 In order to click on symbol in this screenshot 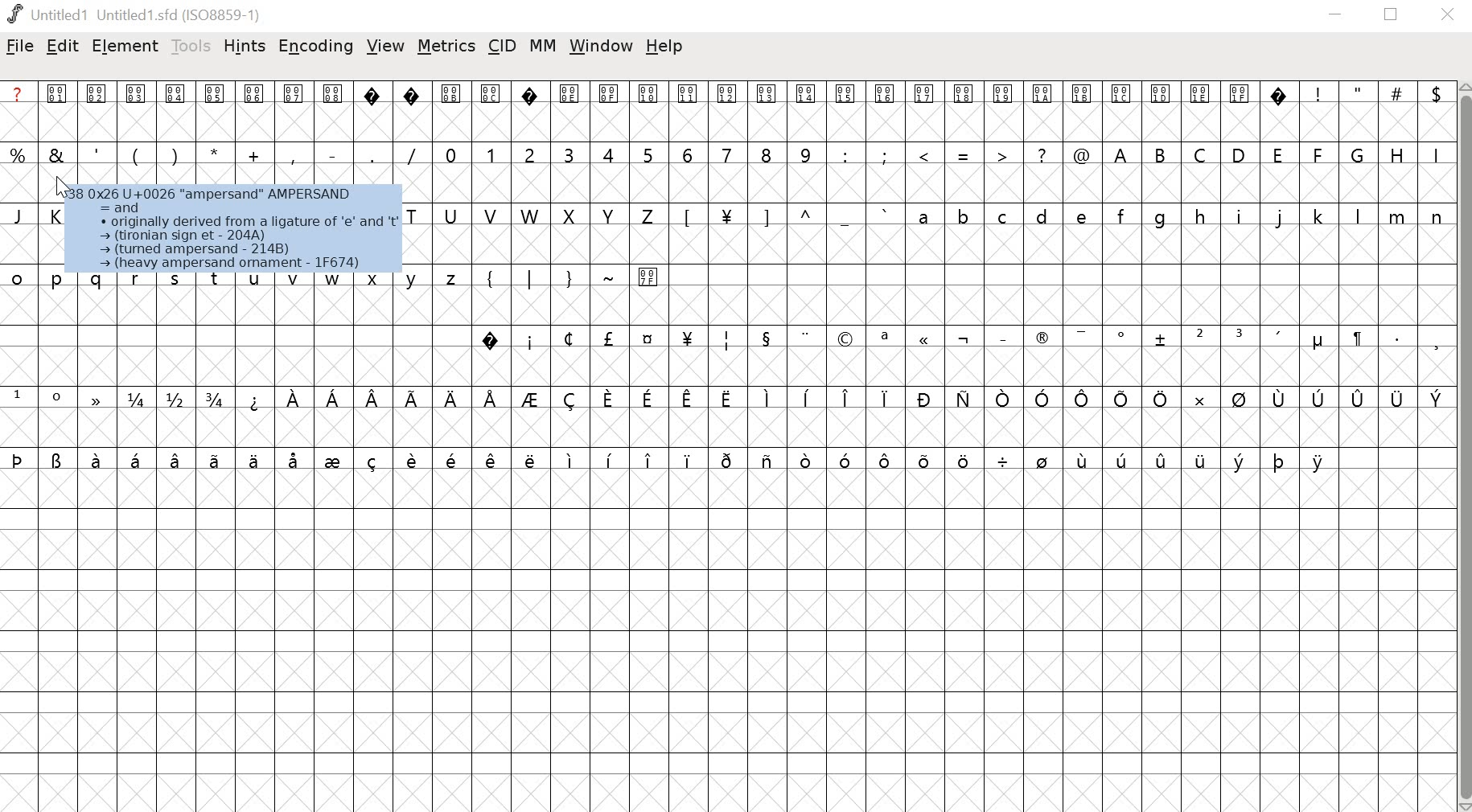, I will do `click(1398, 398)`.